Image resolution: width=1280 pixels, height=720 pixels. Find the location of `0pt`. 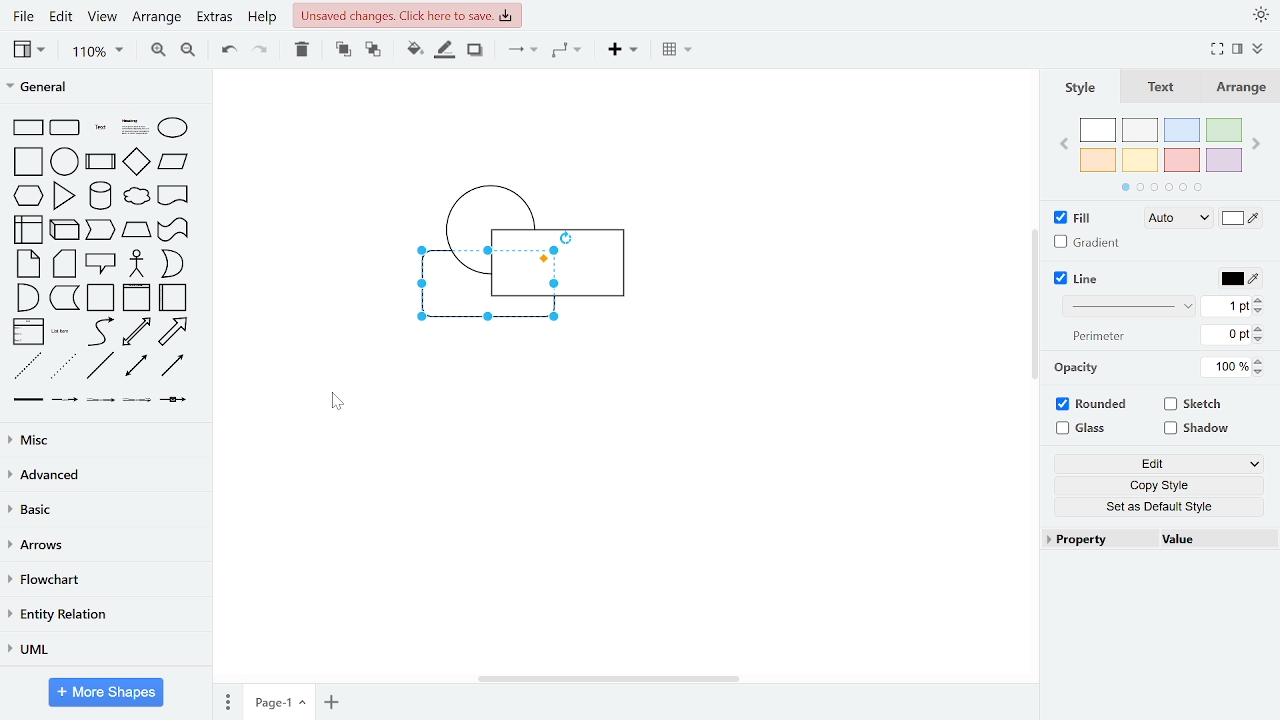

0pt is located at coordinates (1226, 335).